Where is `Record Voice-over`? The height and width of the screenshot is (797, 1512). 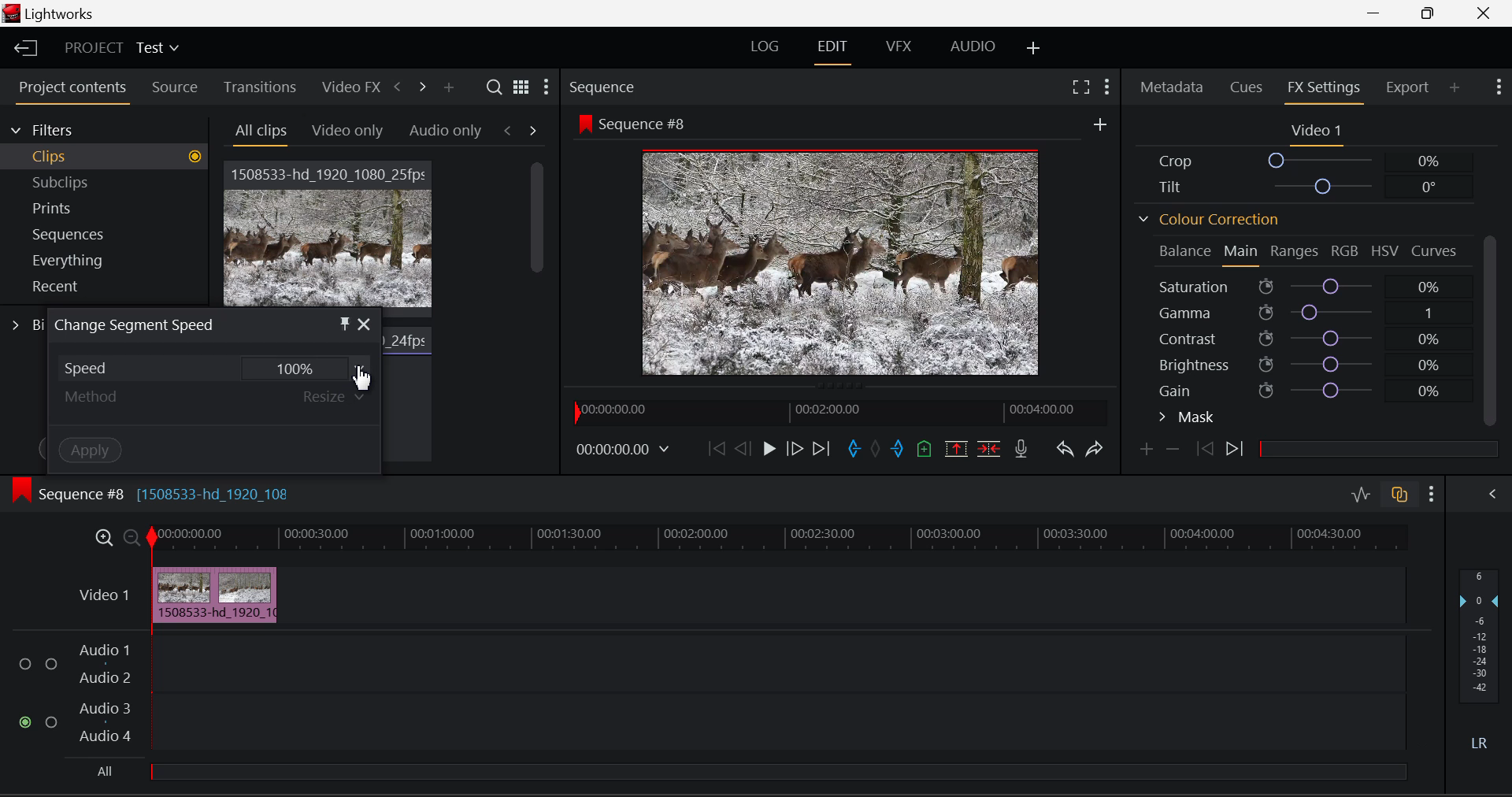
Record Voice-over is located at coordinates (1021, 449).